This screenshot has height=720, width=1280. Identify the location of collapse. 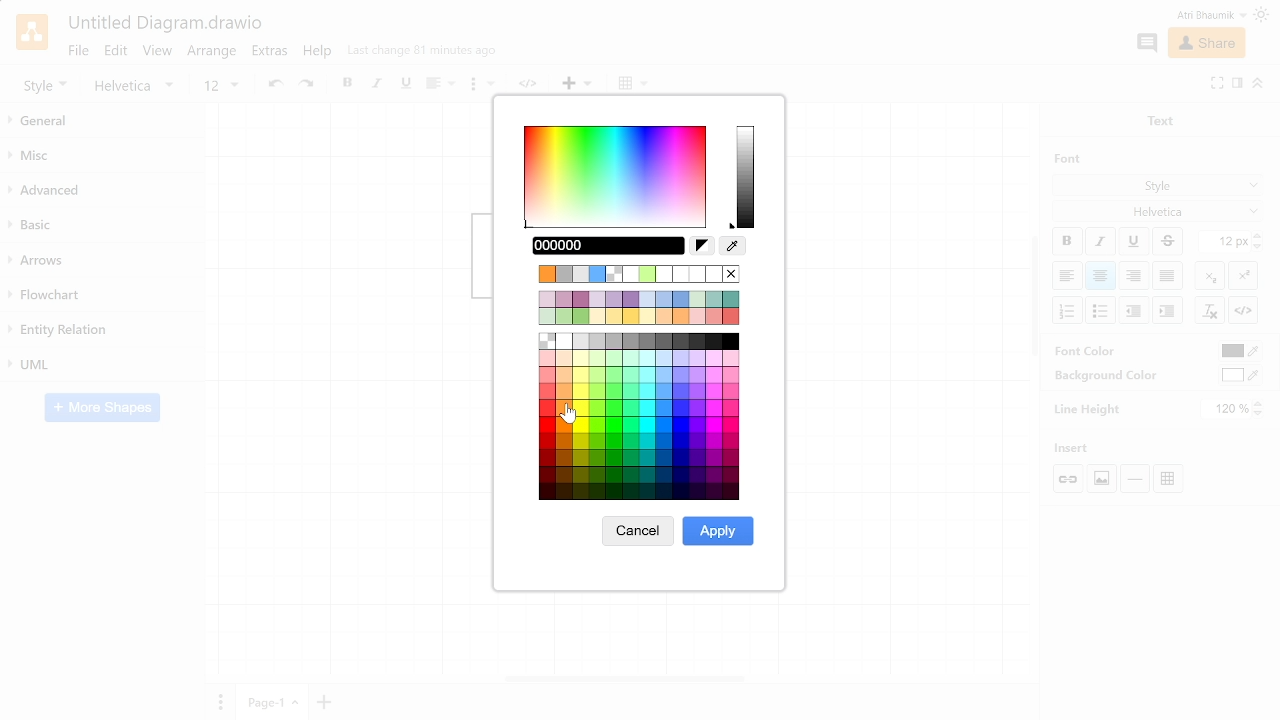
(1258, 82).